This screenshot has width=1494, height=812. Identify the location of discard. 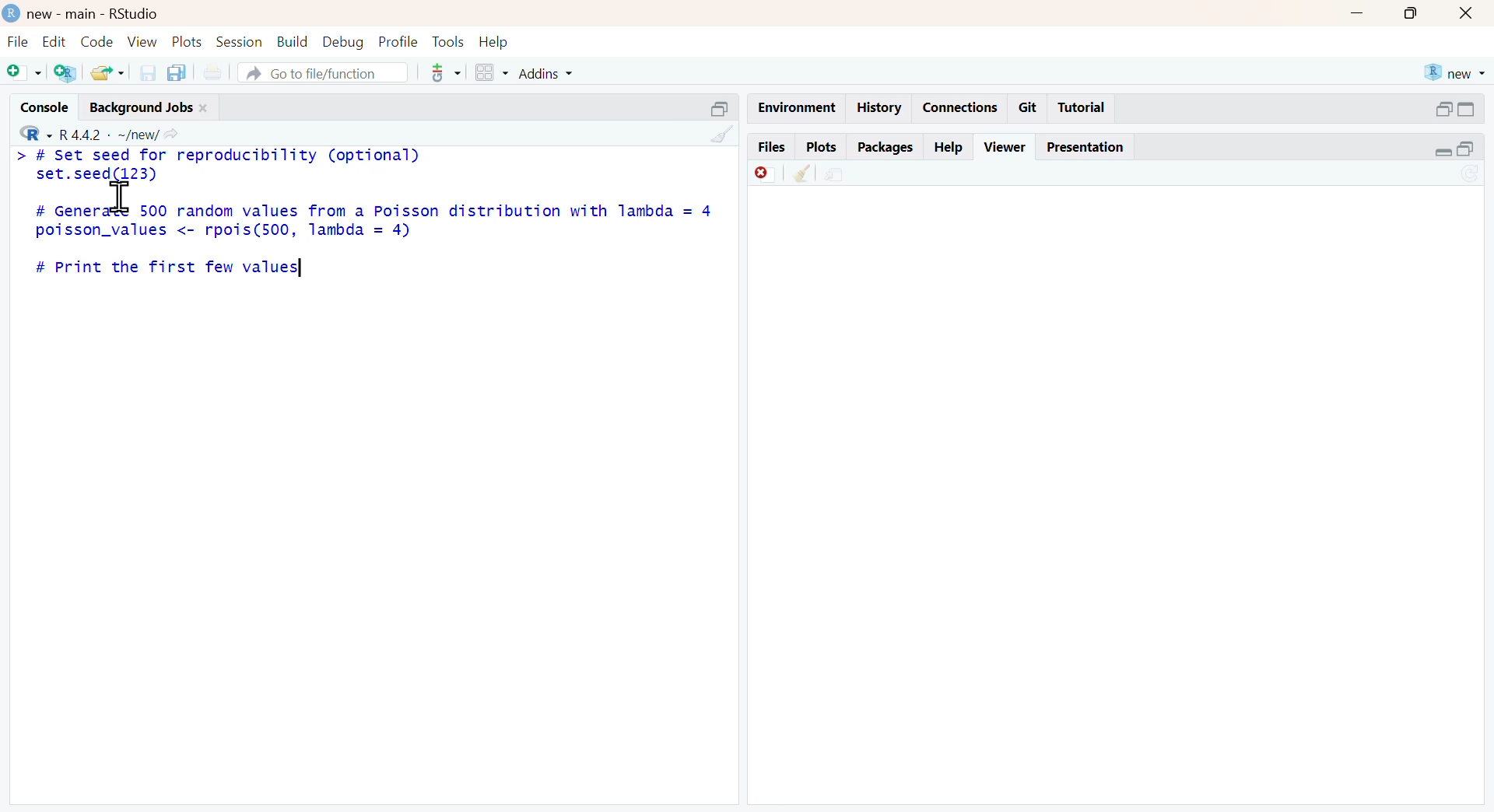
(767, 174).